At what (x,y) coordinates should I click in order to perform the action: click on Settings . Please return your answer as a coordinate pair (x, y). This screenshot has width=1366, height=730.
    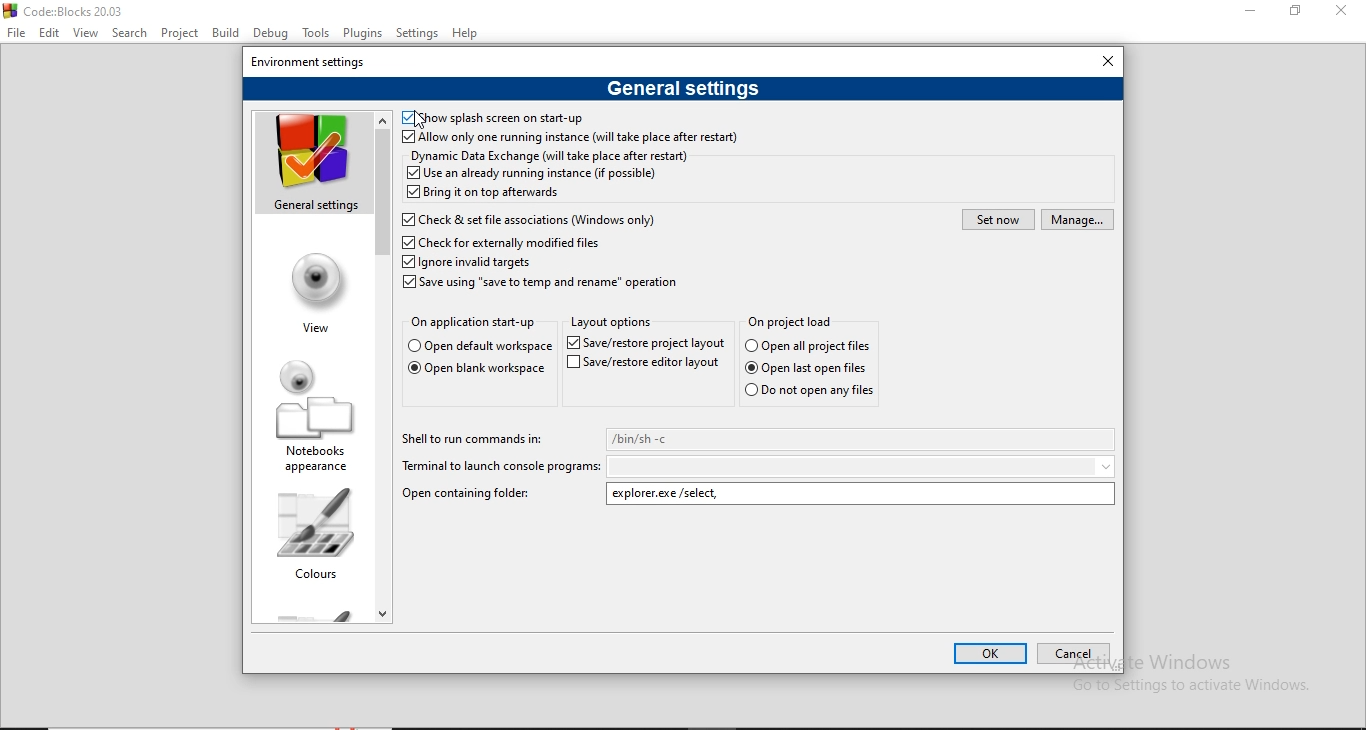
    Looking at the image, I should click on (417, 33).